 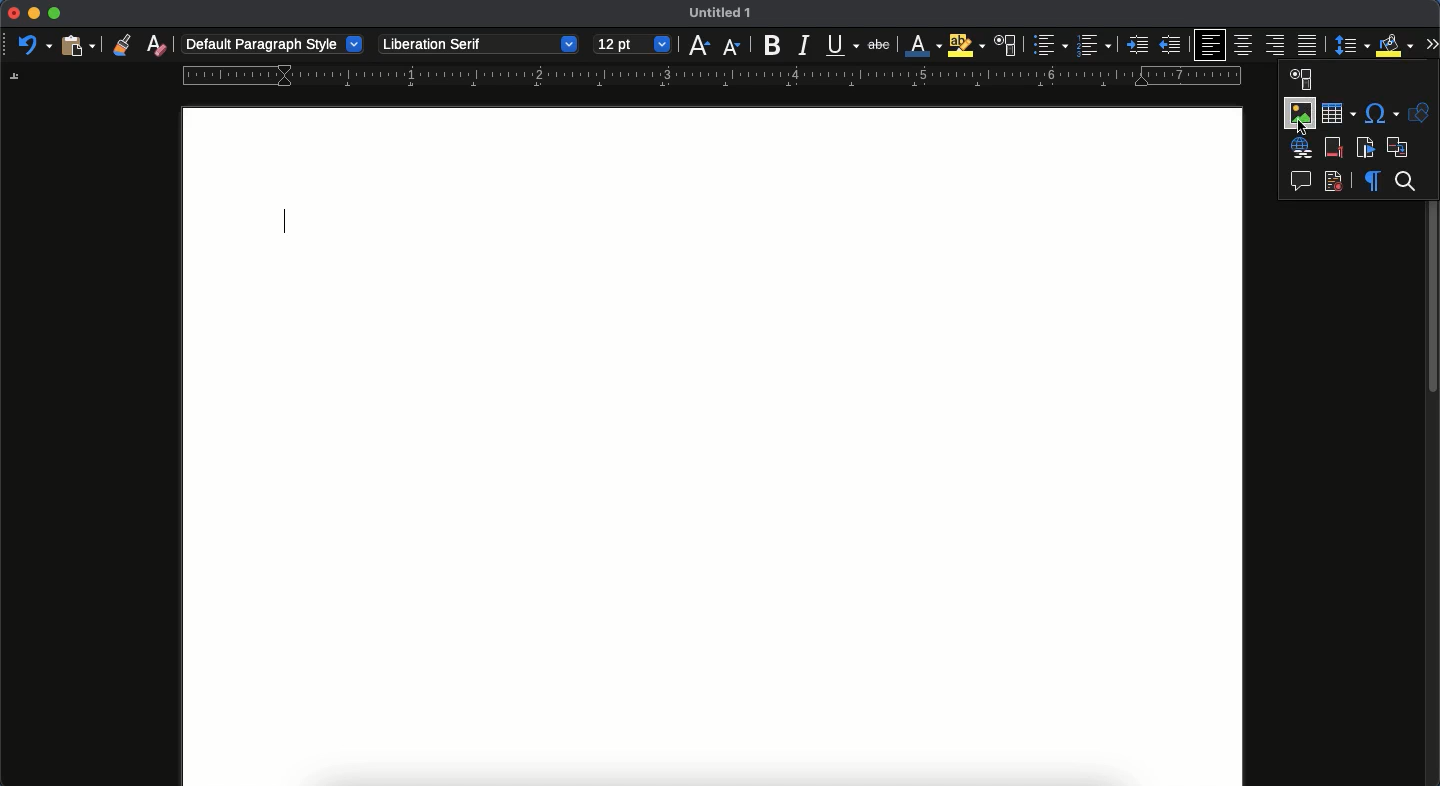 I want to click on page, so click(x=713, y=522).